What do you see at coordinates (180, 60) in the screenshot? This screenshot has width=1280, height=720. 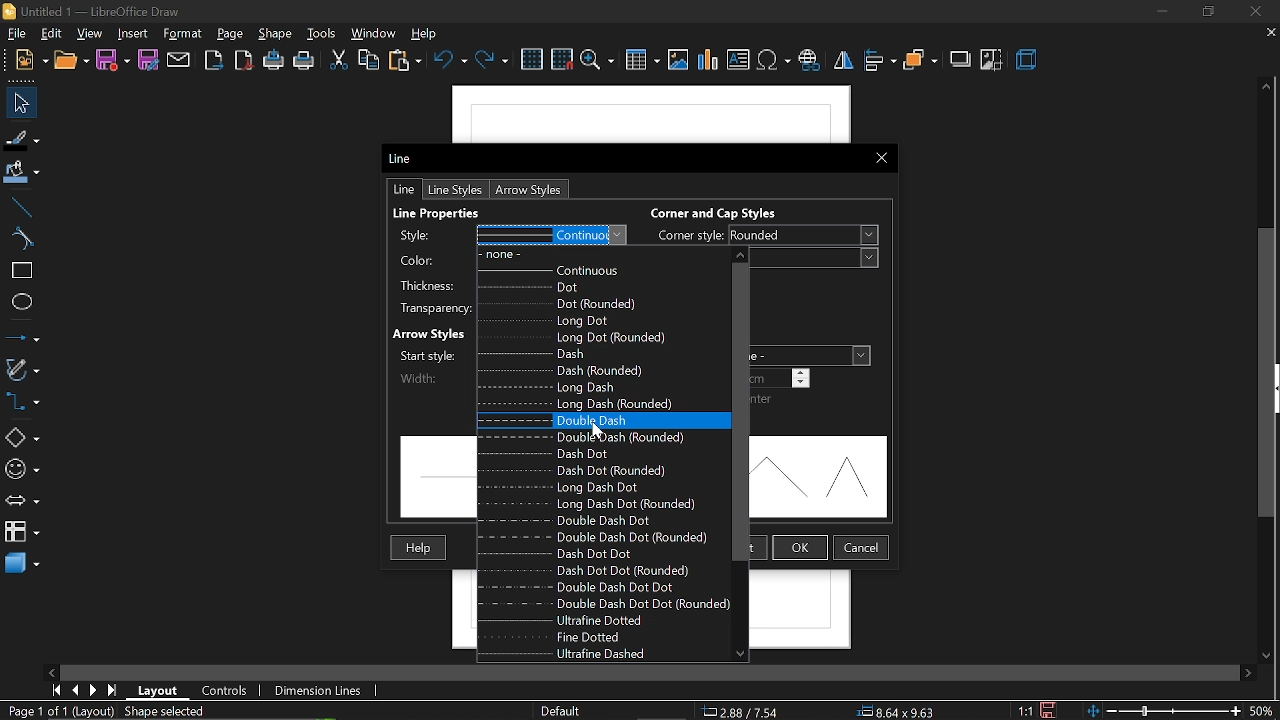 I see `attach` at bounding box center [180, 60].